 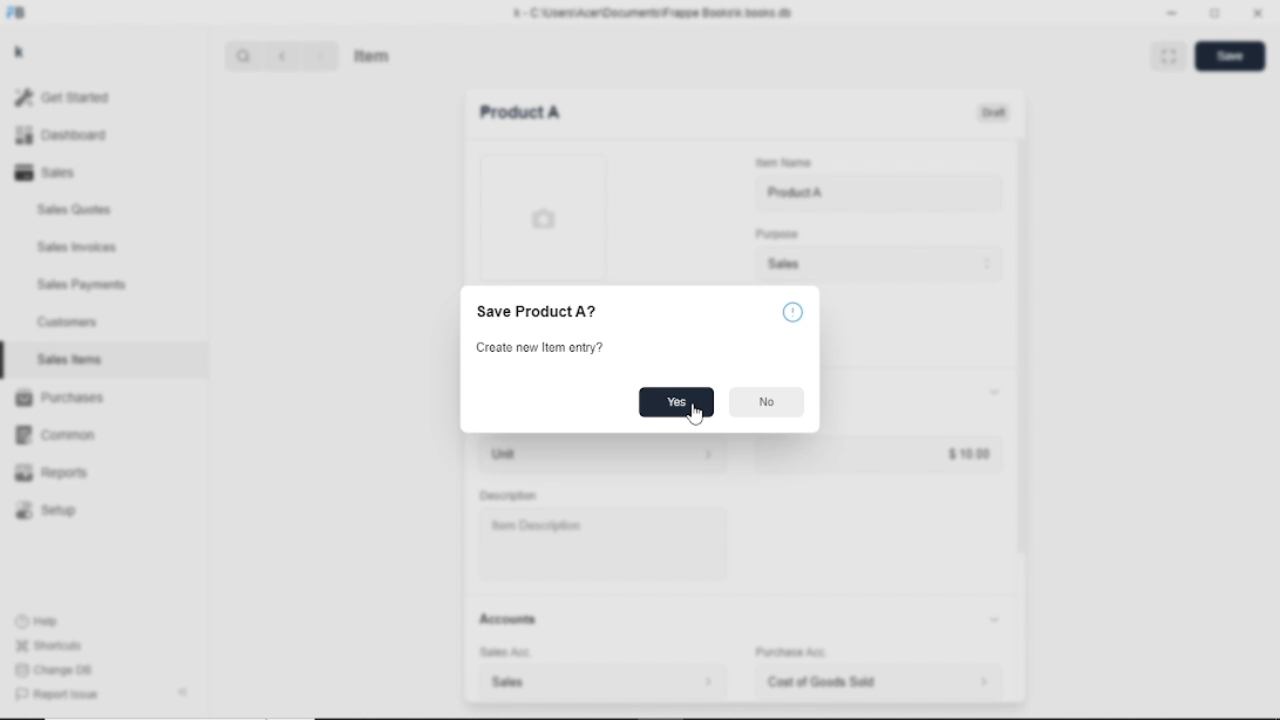 I want to click on No, so click(x=766, y=402).